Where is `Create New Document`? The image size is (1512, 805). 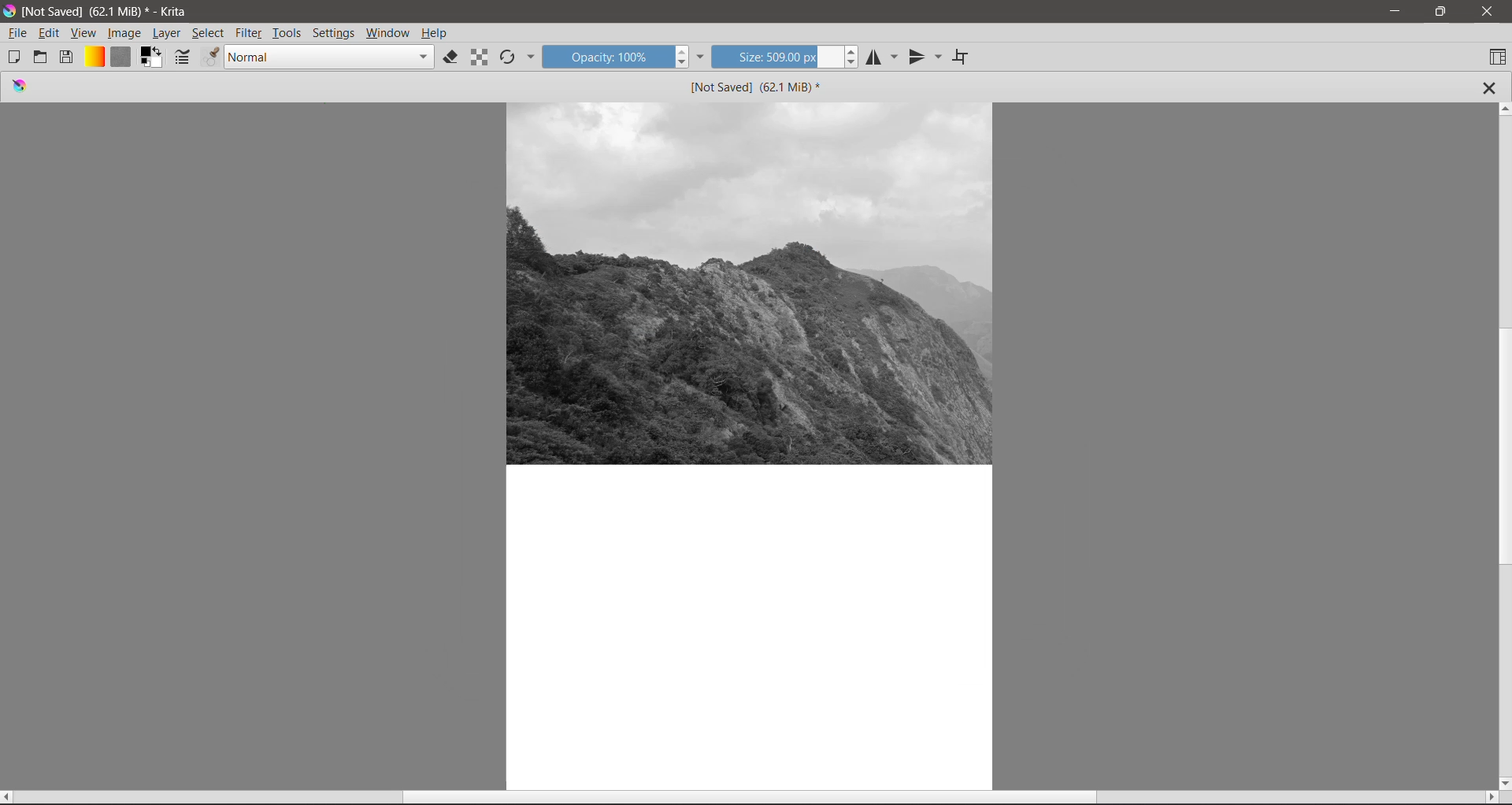
Create New Document is located at coordinates (13, 57).